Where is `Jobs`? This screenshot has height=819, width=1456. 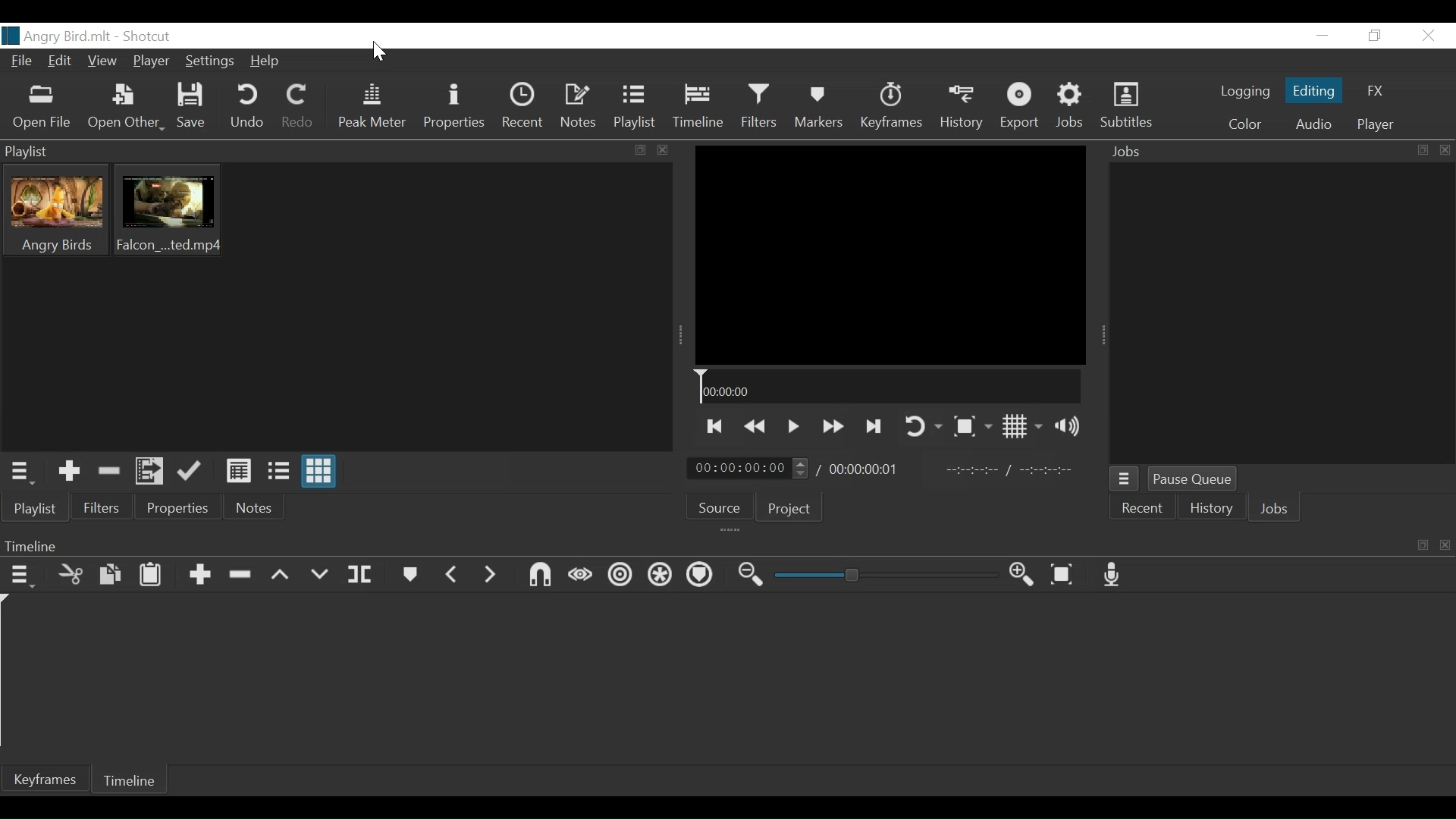 Jobs is located at coordinates (1071, 106).